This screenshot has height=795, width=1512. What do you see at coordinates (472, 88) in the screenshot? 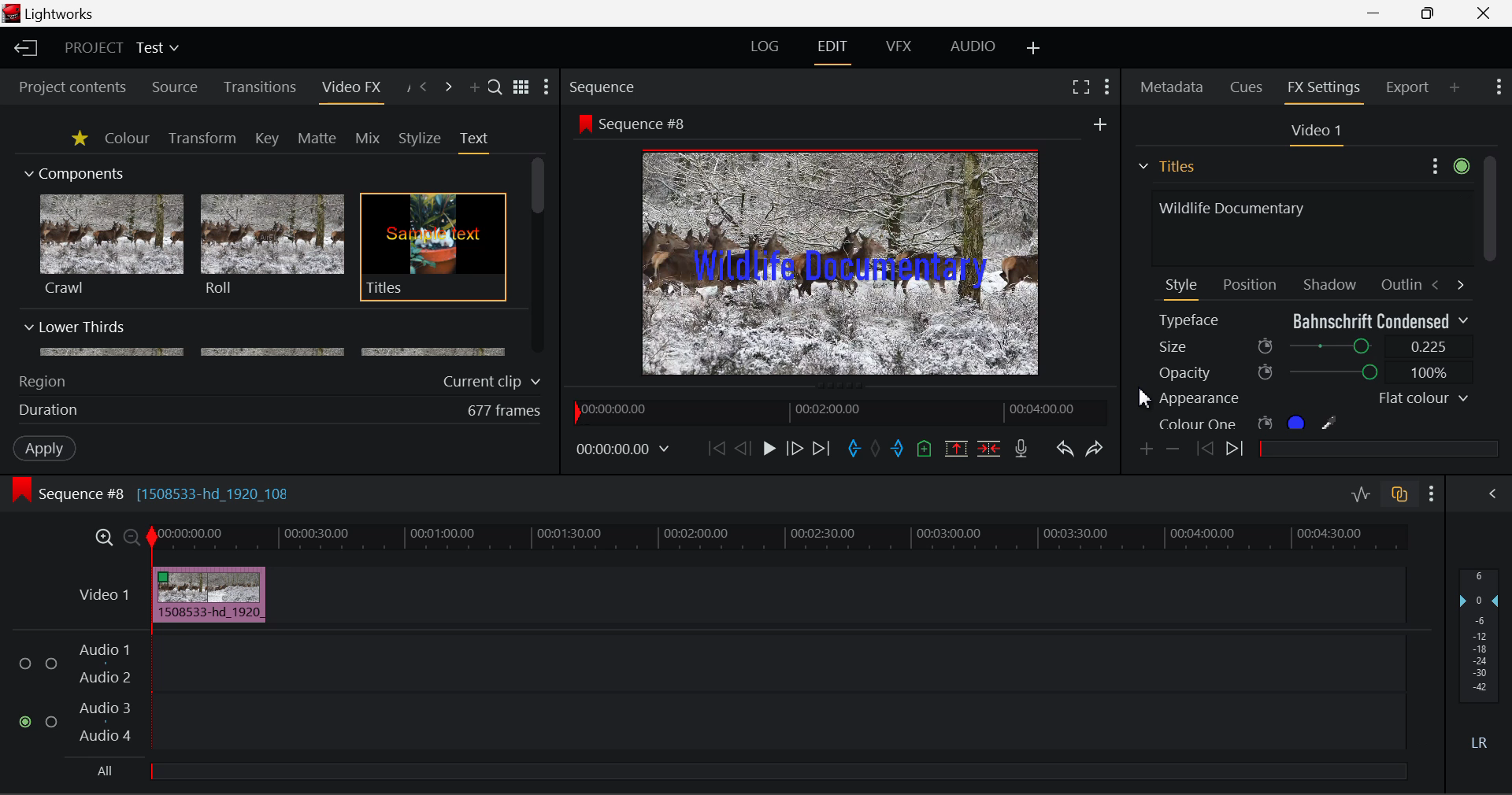
I see `Add Panel` at bounding box center [472, 88].